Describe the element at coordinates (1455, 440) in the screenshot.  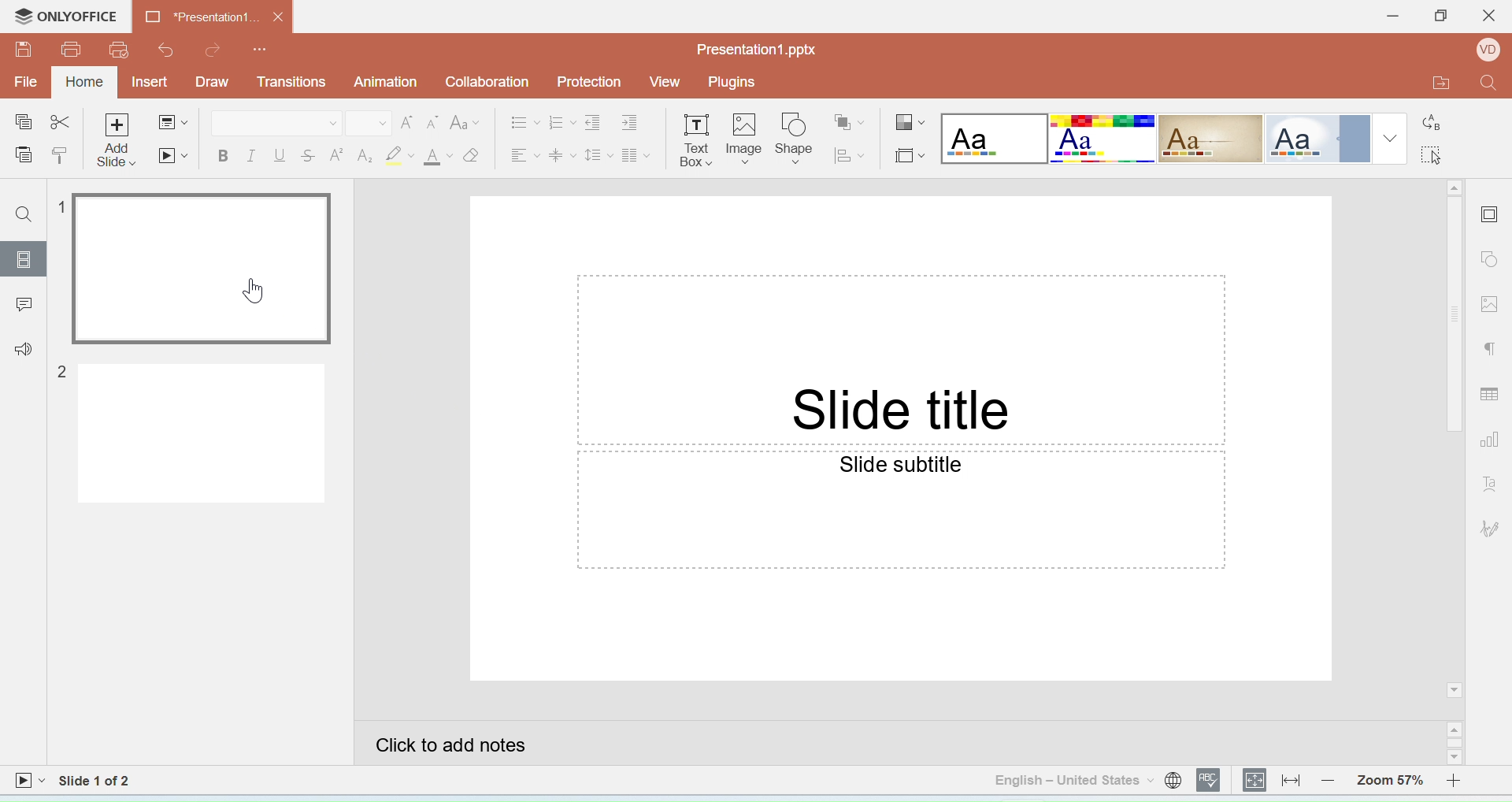
I see `Scroll bar` at that location.